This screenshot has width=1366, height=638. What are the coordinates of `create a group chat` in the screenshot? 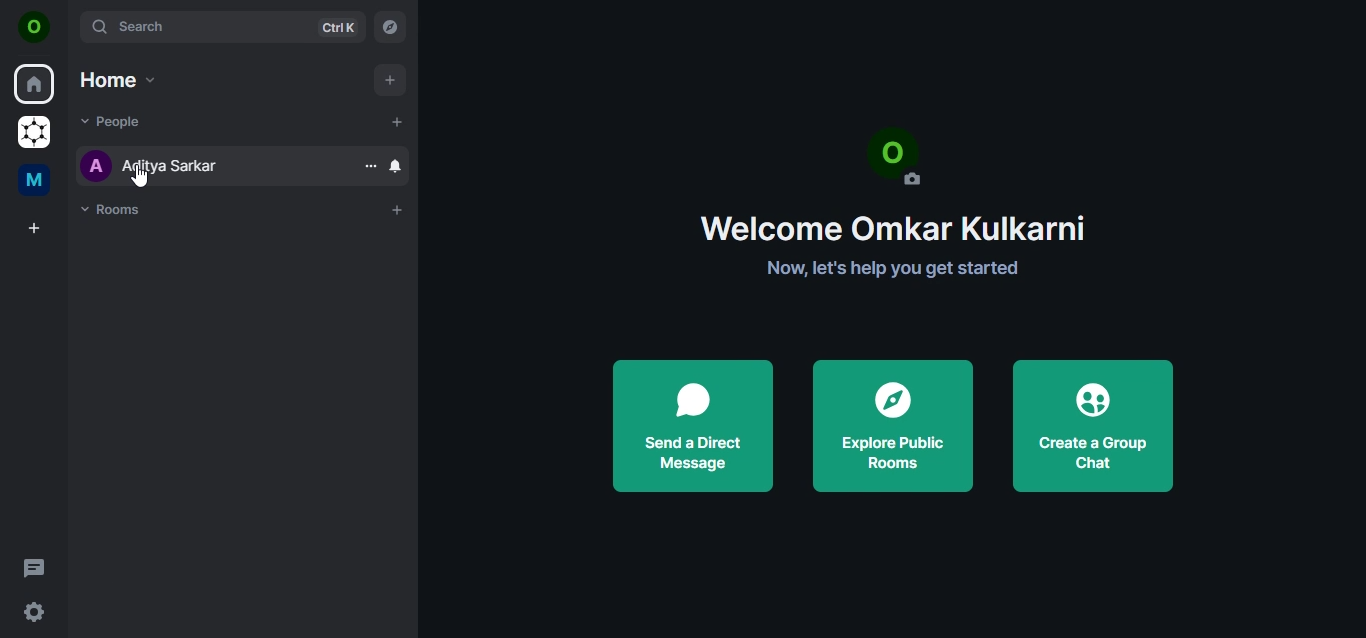 It's located at (1089, 420).